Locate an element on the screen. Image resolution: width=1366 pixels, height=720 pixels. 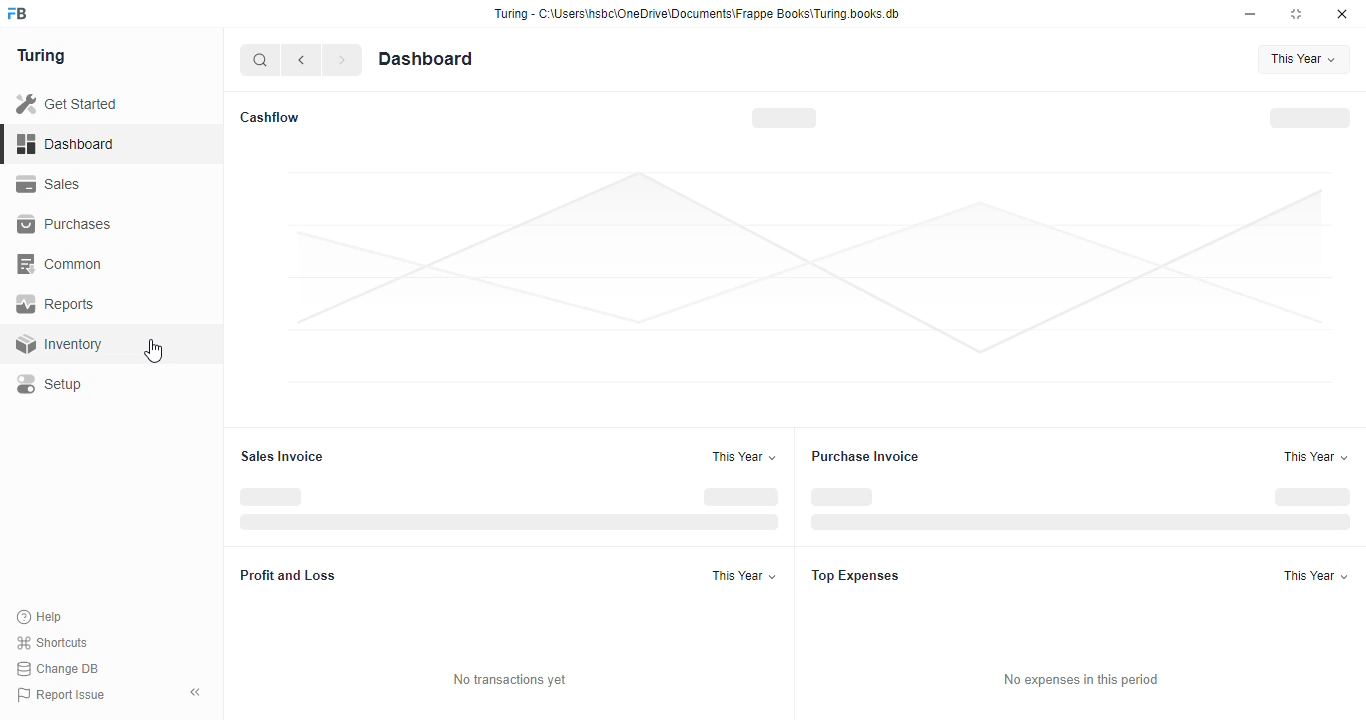
Turing - C:\Users\nsbc\OneDrive\Documents\Frappe Books\Turing books.db is located at coordinates (698, 14).